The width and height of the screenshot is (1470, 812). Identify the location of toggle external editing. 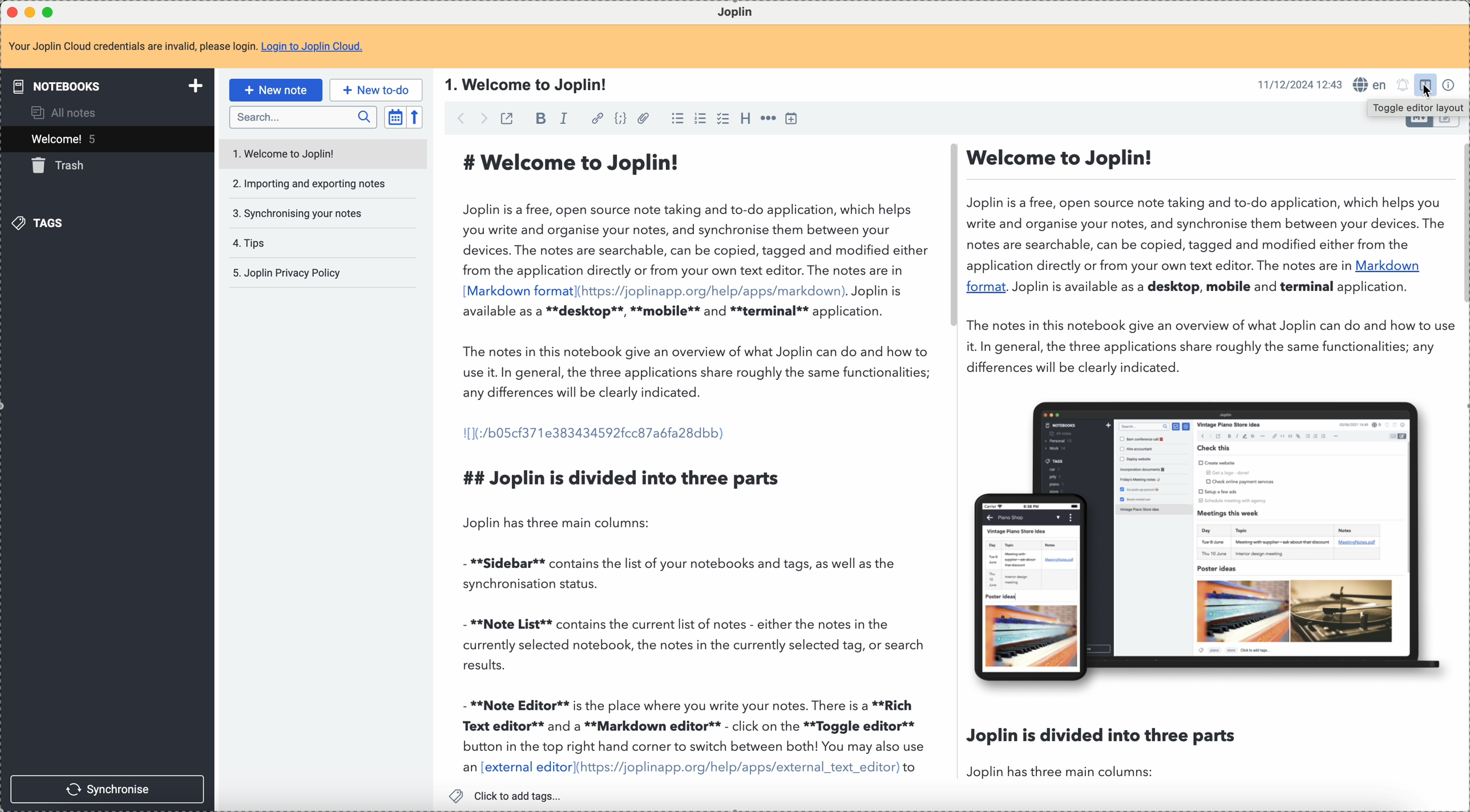
(509, 118).